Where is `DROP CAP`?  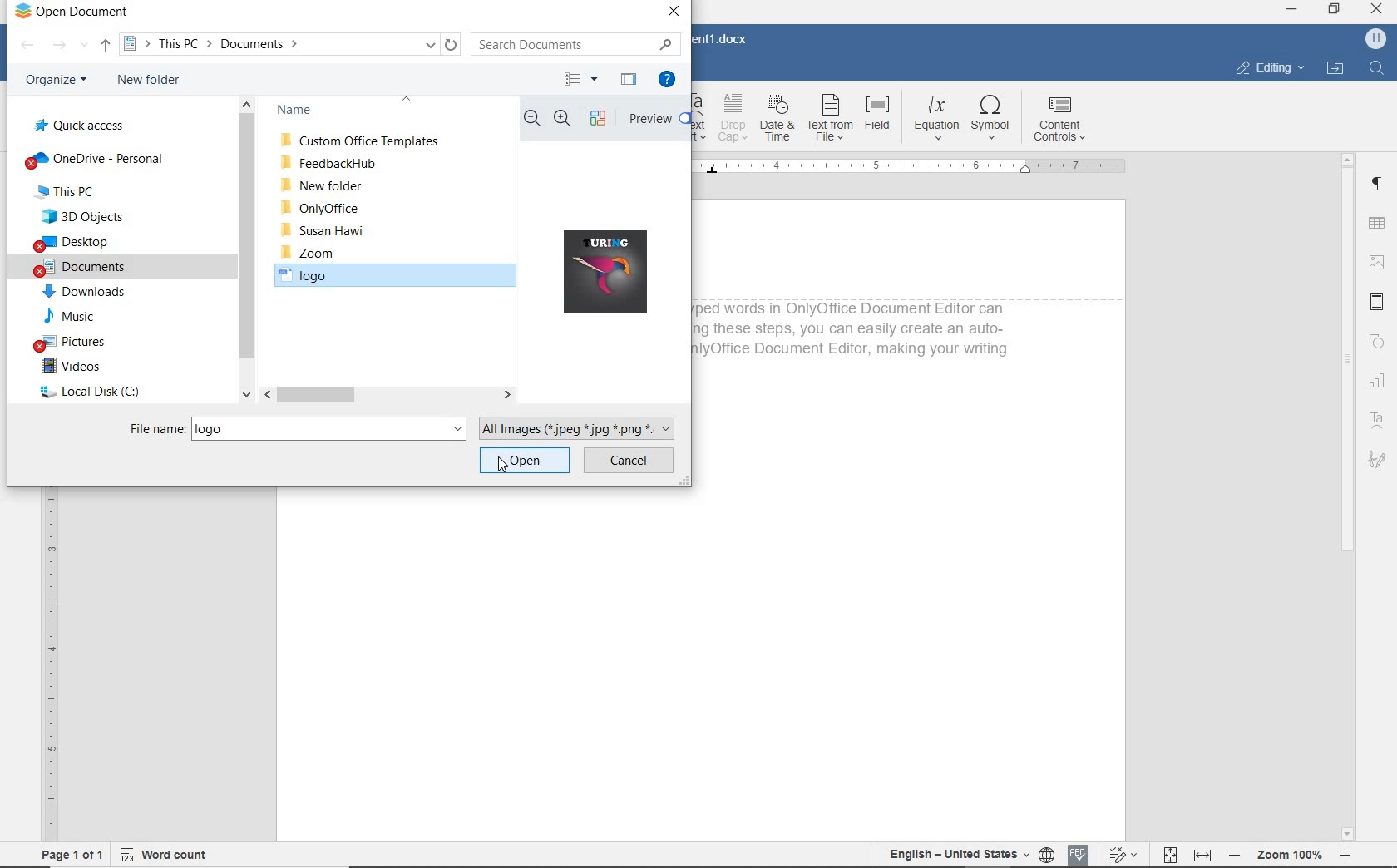 DROP CAP is located at coordinates (734, 121).